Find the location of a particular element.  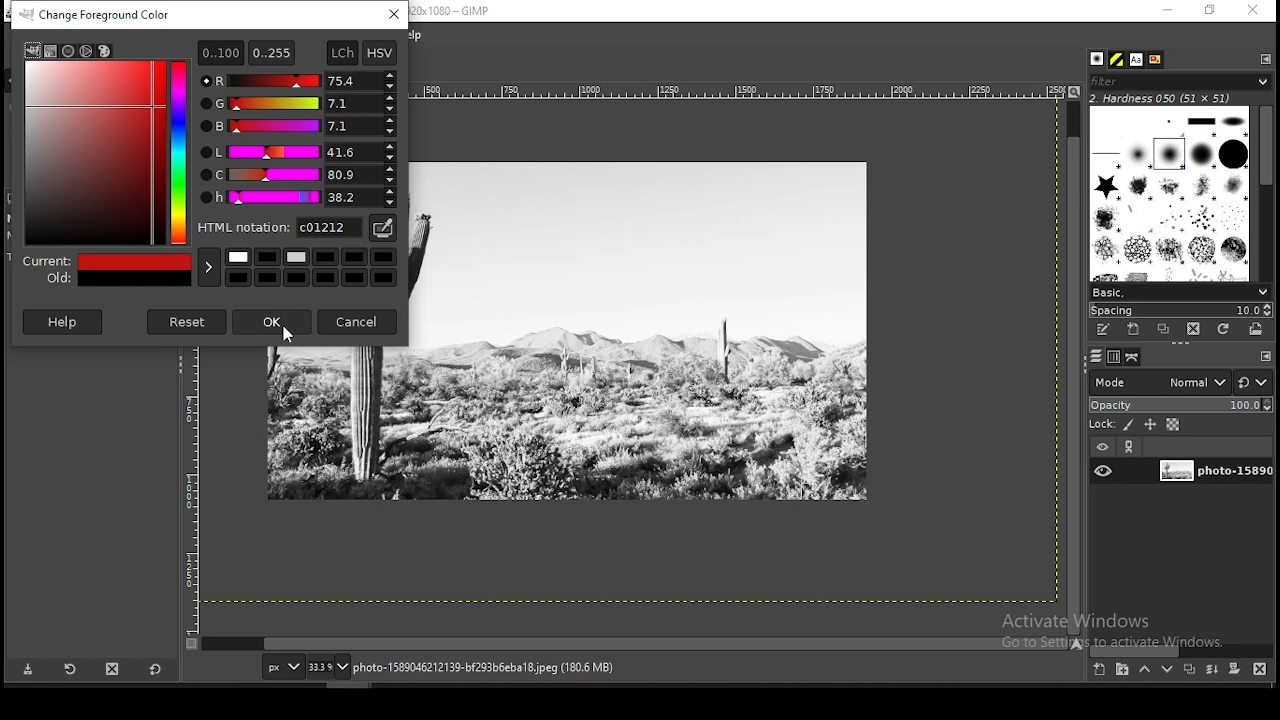

duplicate this layer is located at coordinates (1188, 669).